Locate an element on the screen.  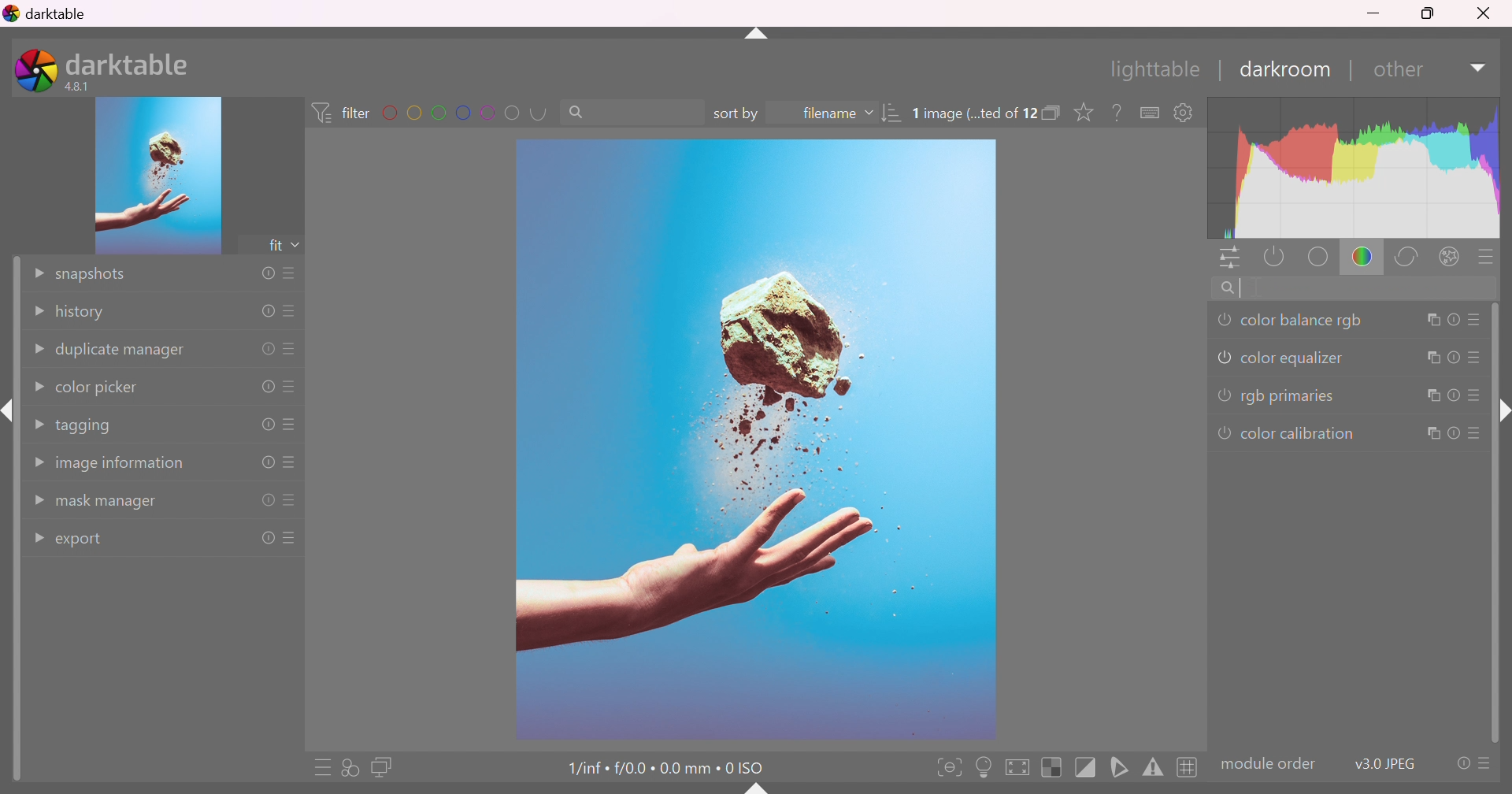
shift+ctrl+r is located at coordinates (1503, 408).